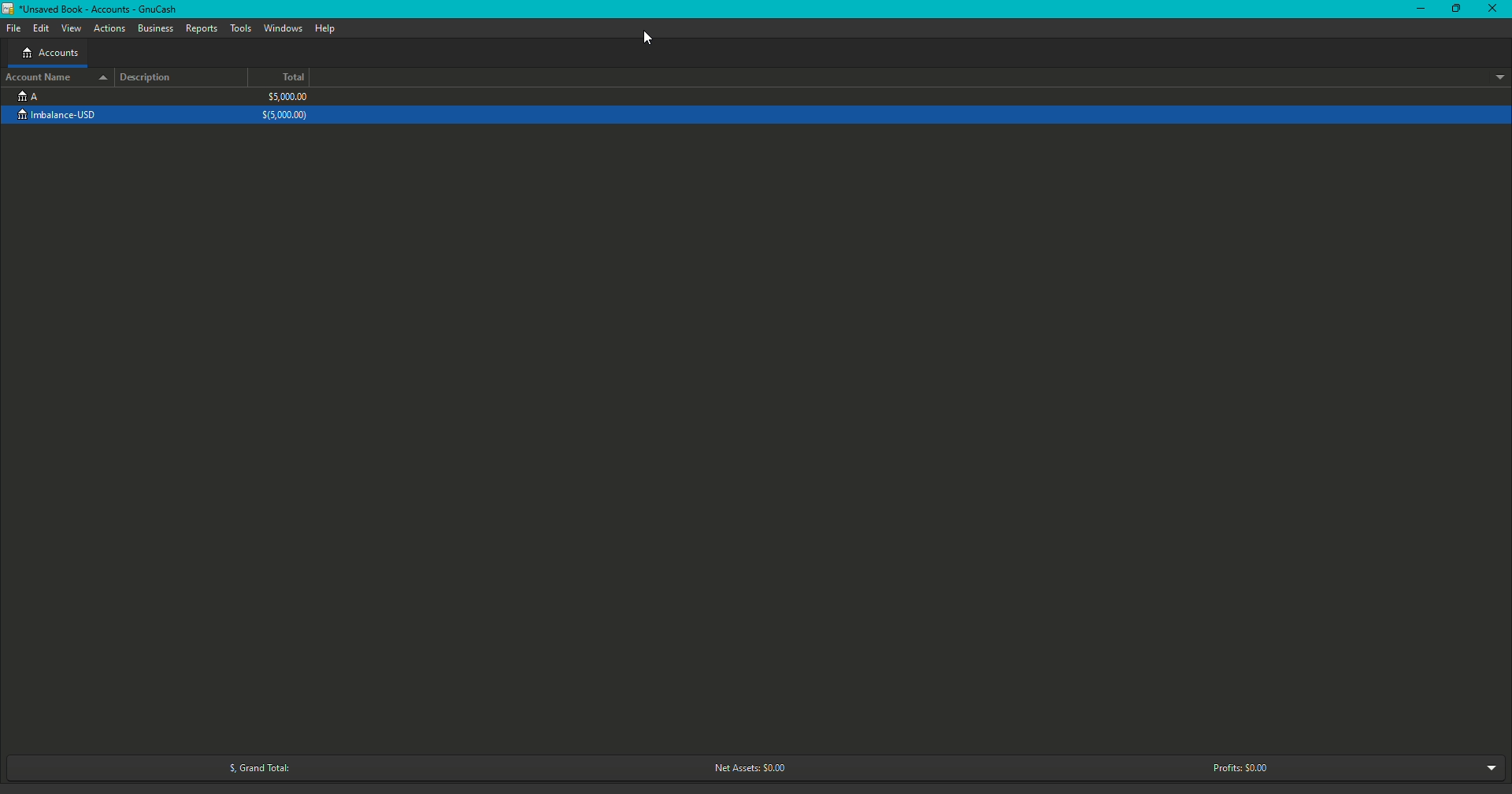 Image resolution: width=1512 pixels, height=794 pixels. Describe the element at coordinates (1495, 10) in the screenshot. I see `Close` at that location.